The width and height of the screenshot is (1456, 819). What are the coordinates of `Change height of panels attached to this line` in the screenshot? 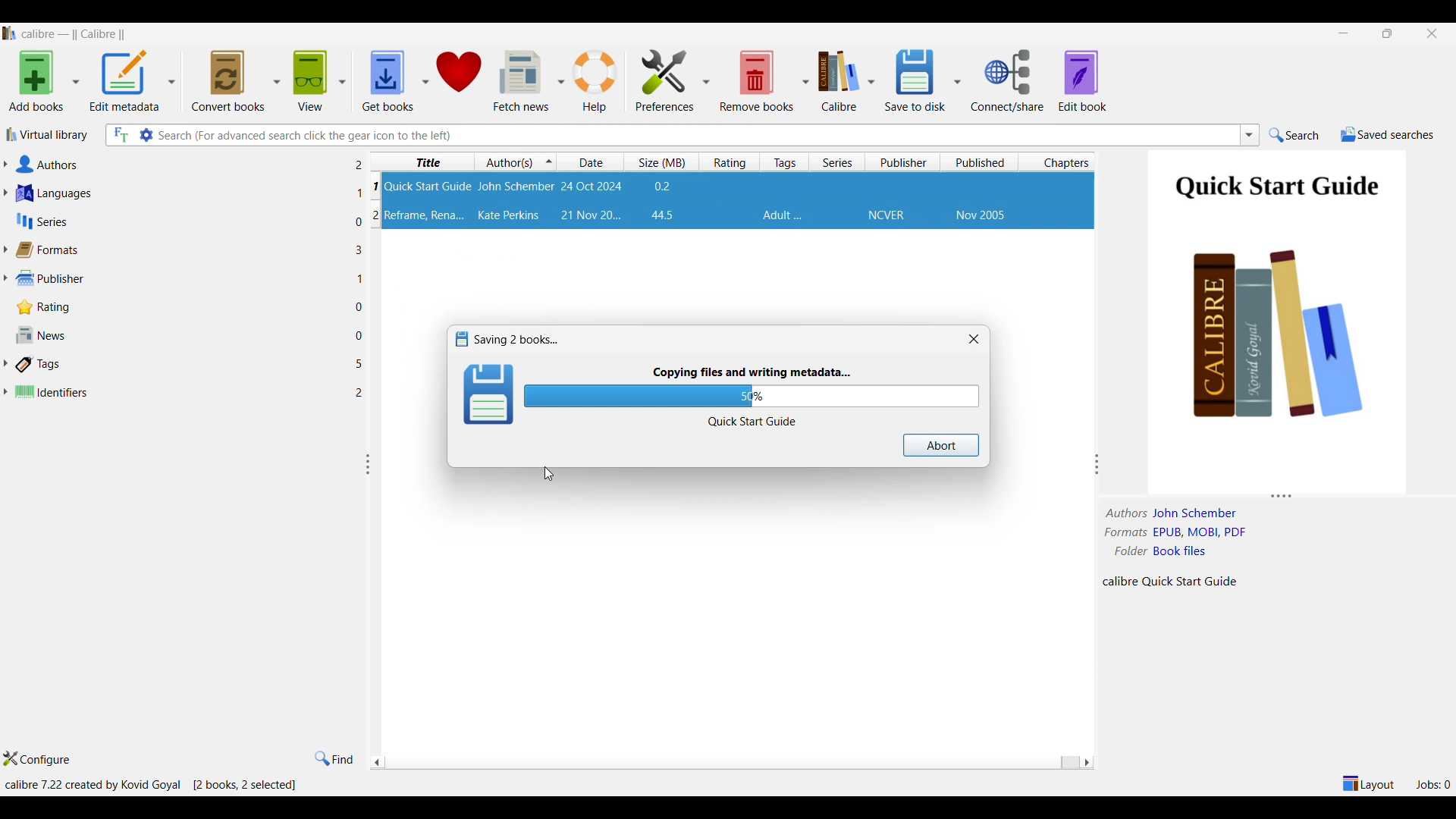 It's located at (1273, 494).